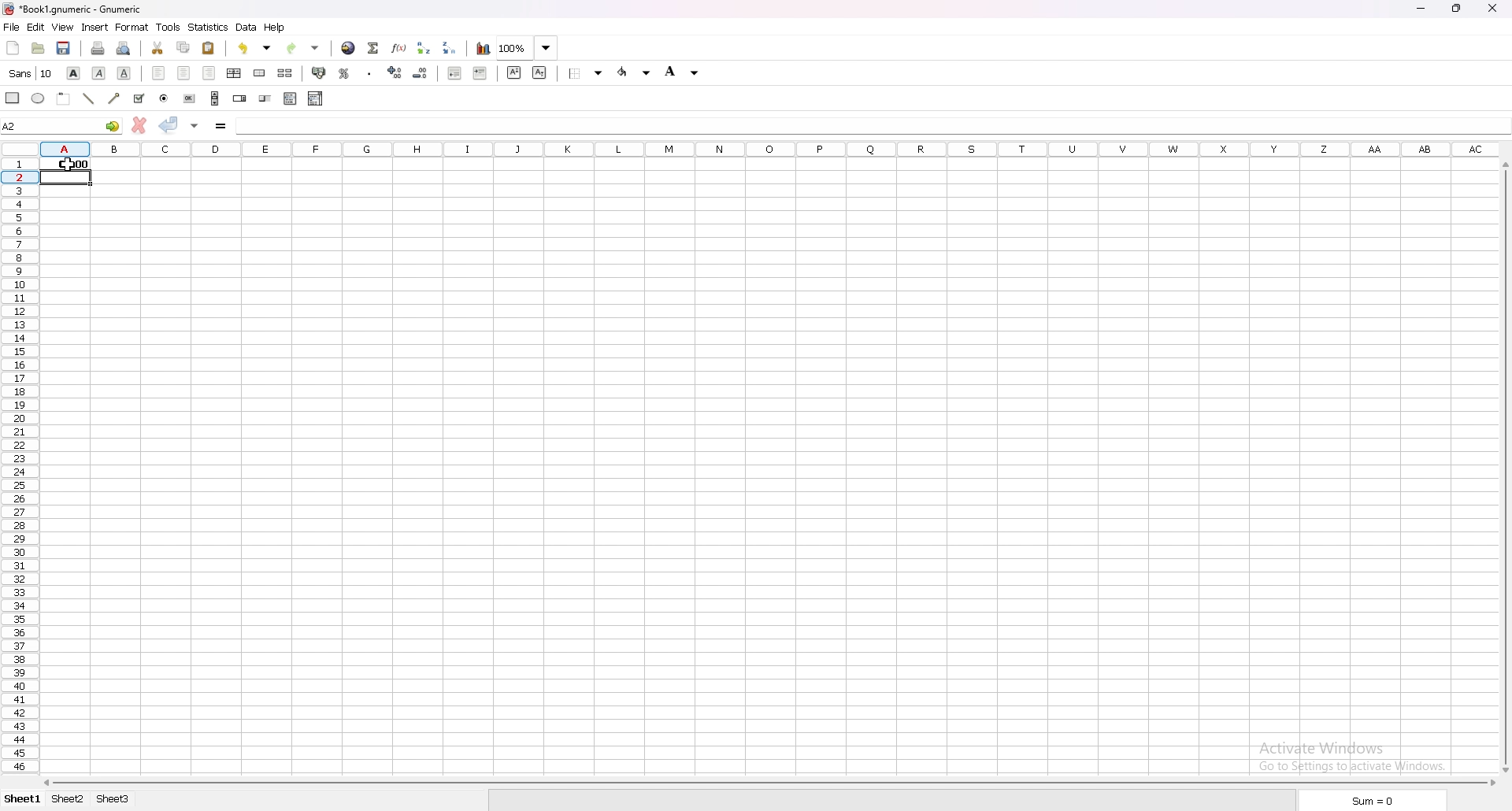 The image size is (1512, 811). I want to click on scroll bar, so click(1506, 466).